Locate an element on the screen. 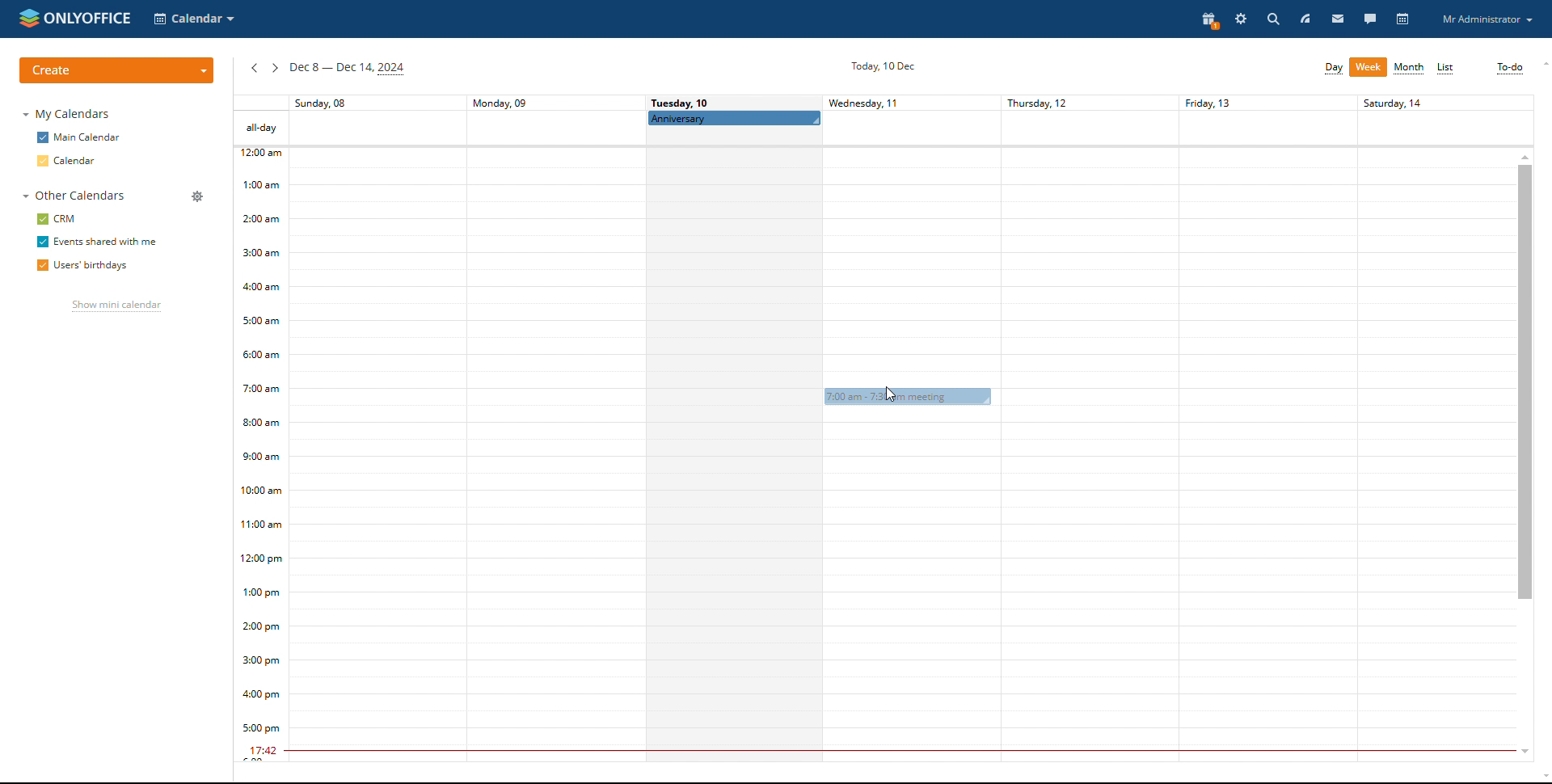  day view is located at coordinates (1334, 69).